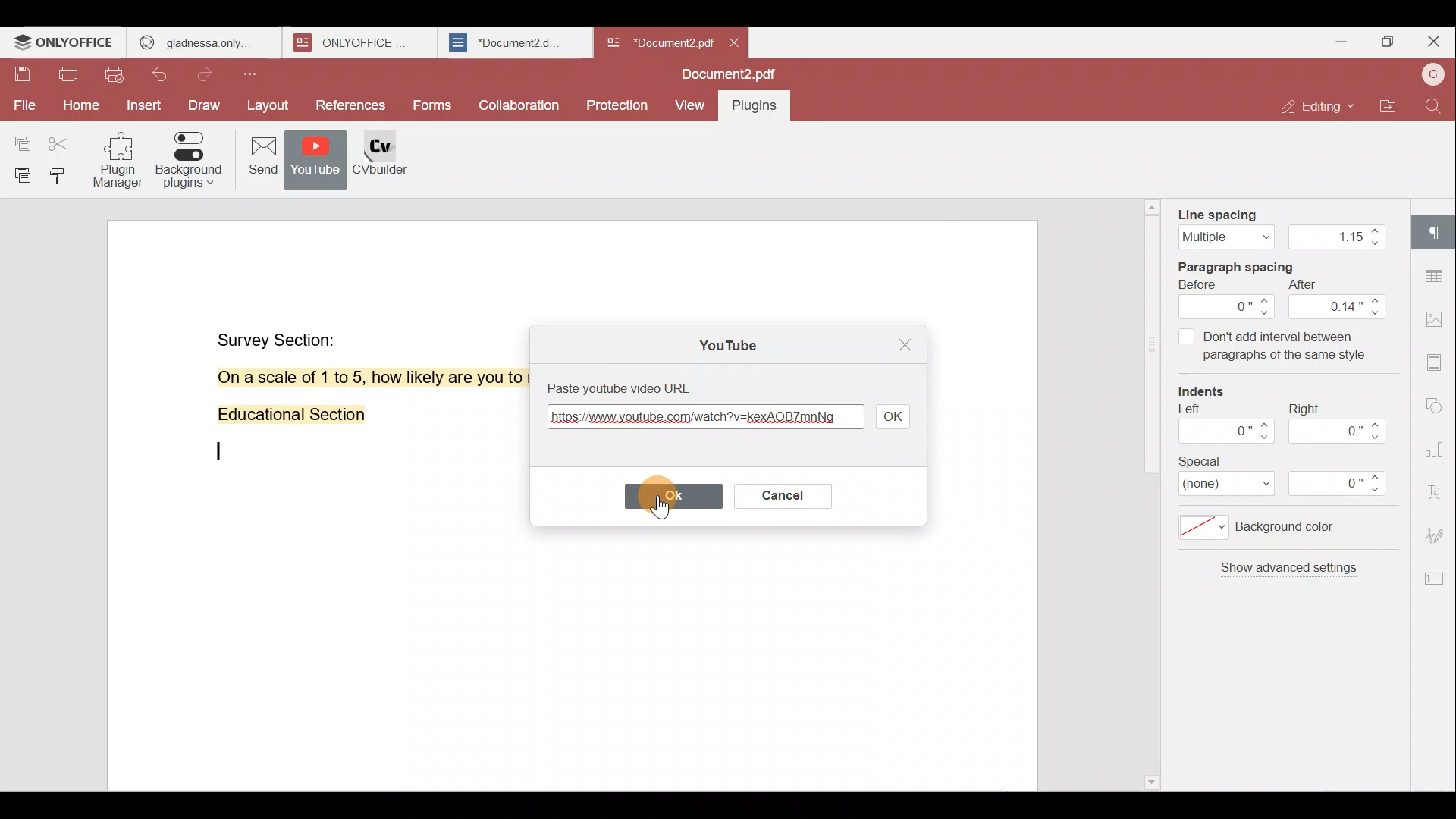  What do you see at coordinates (285, 418) in the screenshot?
I see `Educational Section` at bounding box center [285, 418].